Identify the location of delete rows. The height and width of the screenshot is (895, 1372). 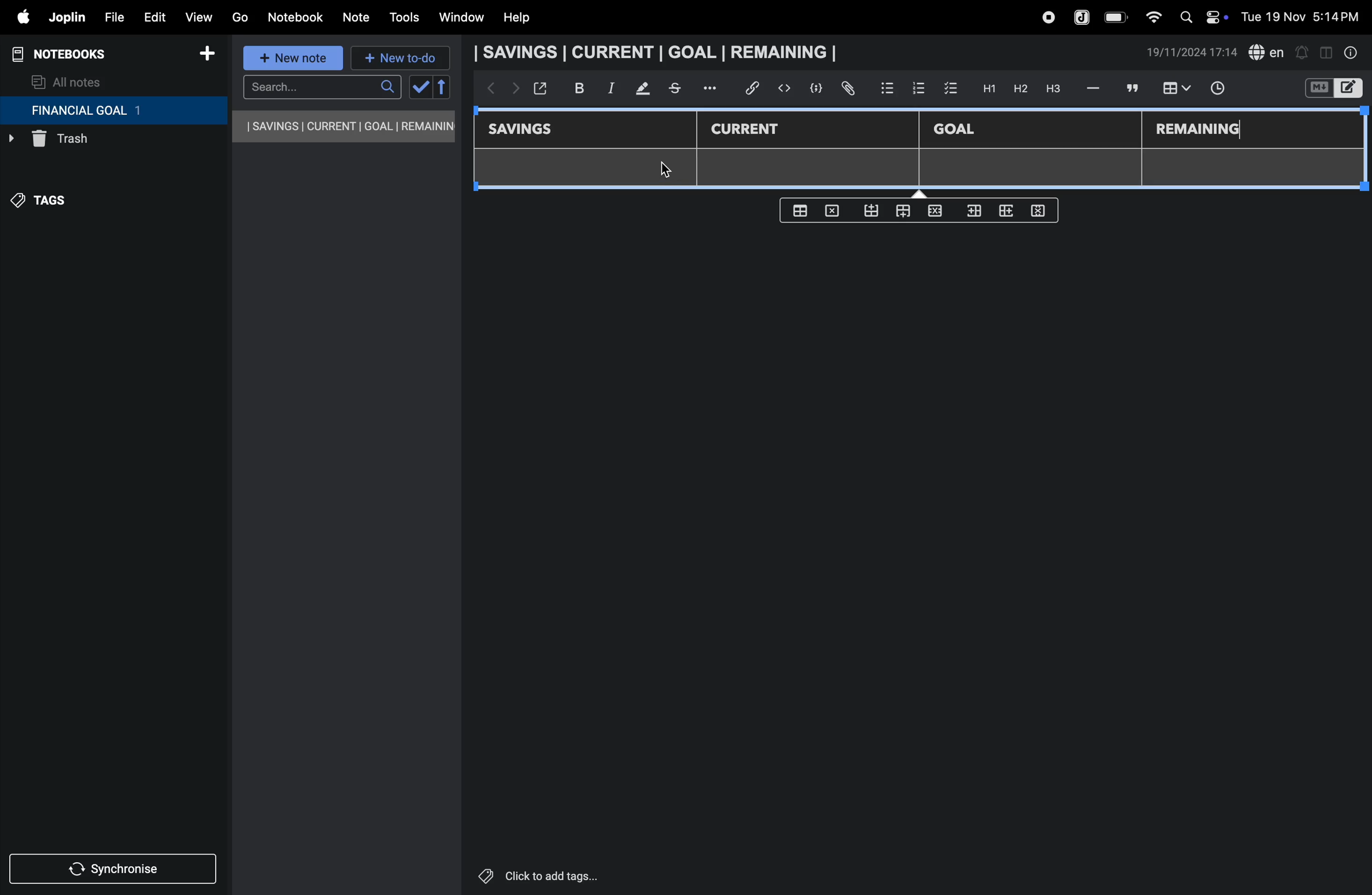
(1039, 210).